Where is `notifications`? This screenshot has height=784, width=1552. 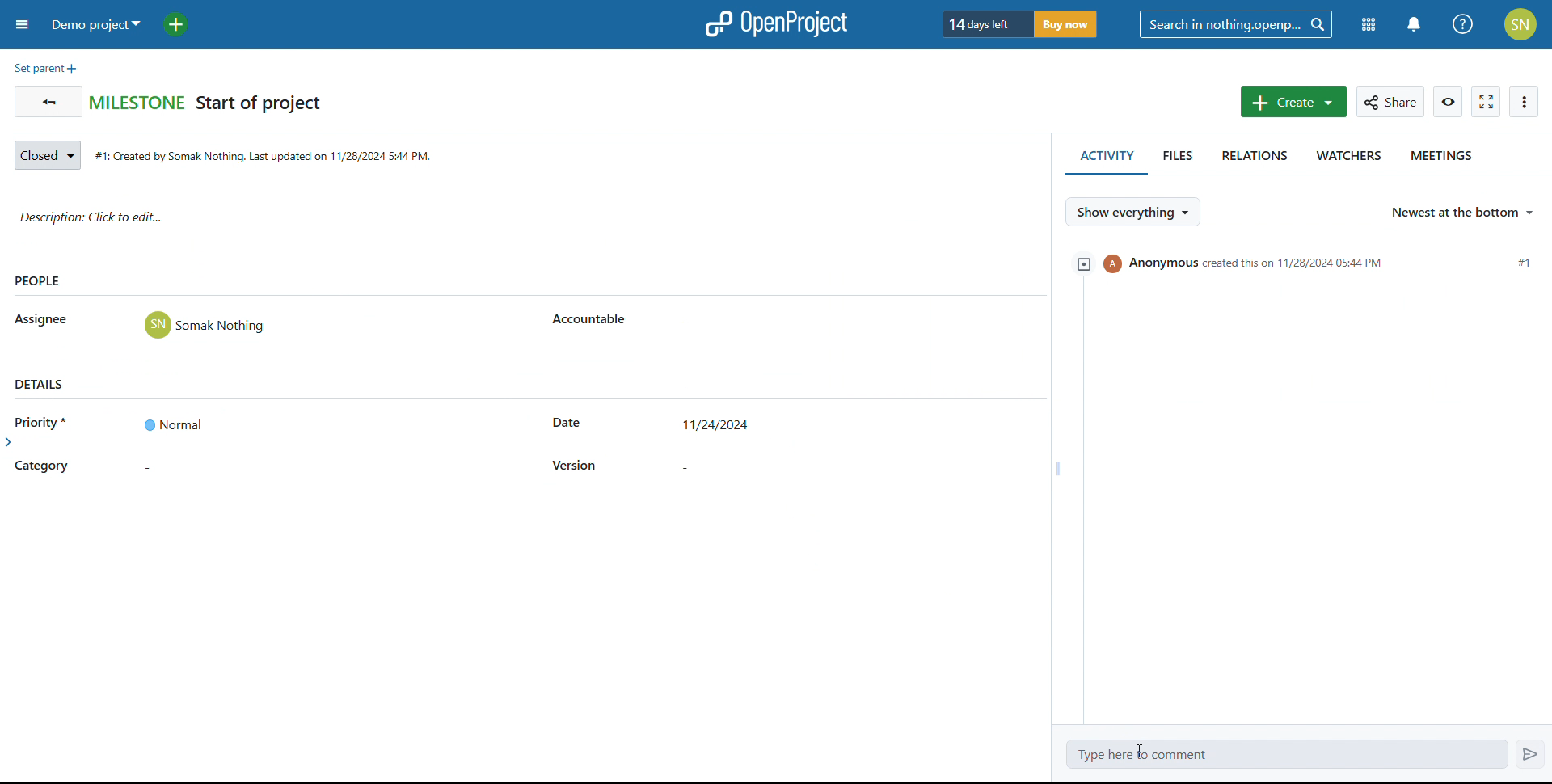
notifications is located at coordinates (1415, 24).